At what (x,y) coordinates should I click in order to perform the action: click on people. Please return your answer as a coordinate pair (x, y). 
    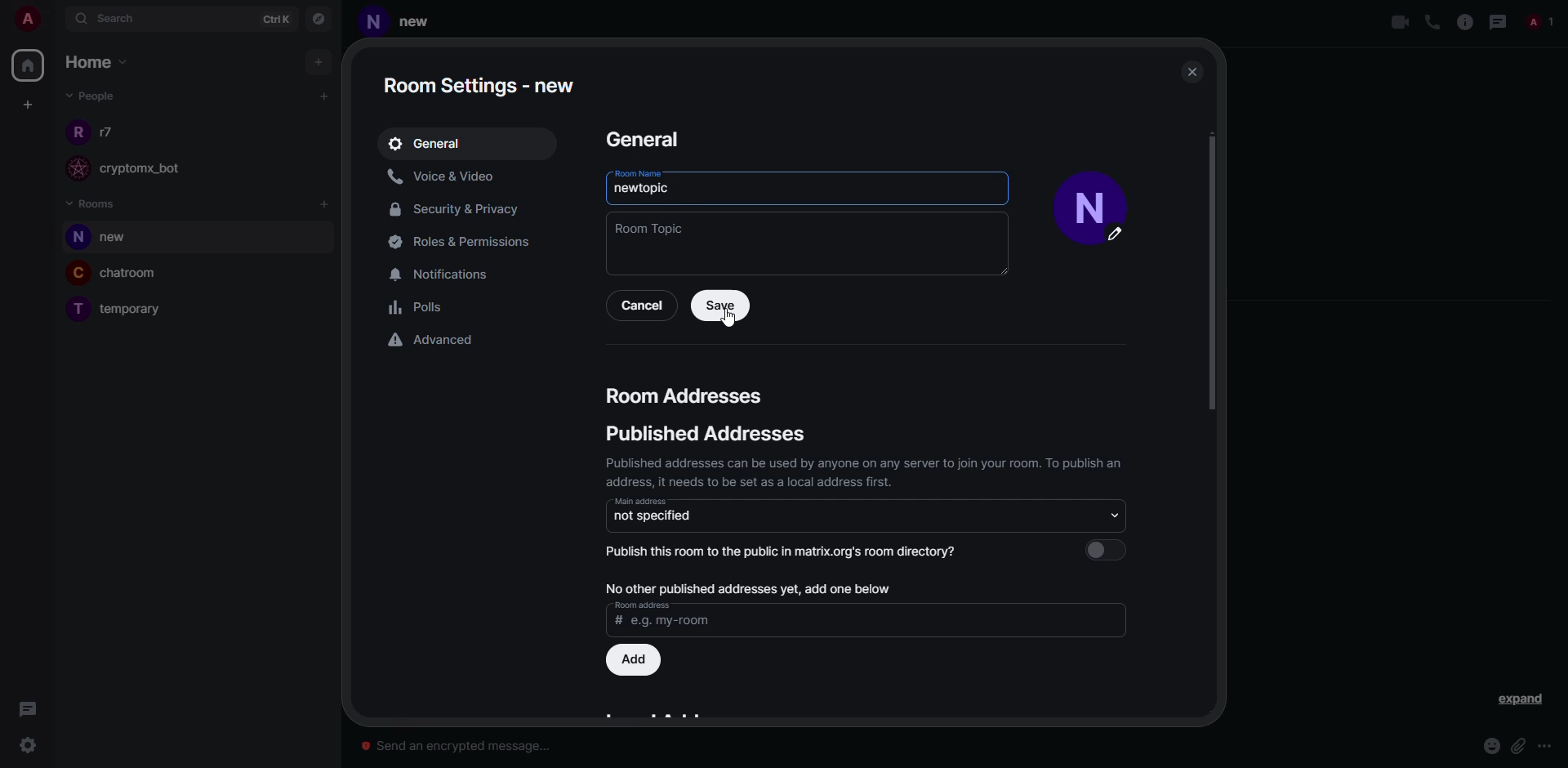
    Looking at the image, I should click on (1543, 21).